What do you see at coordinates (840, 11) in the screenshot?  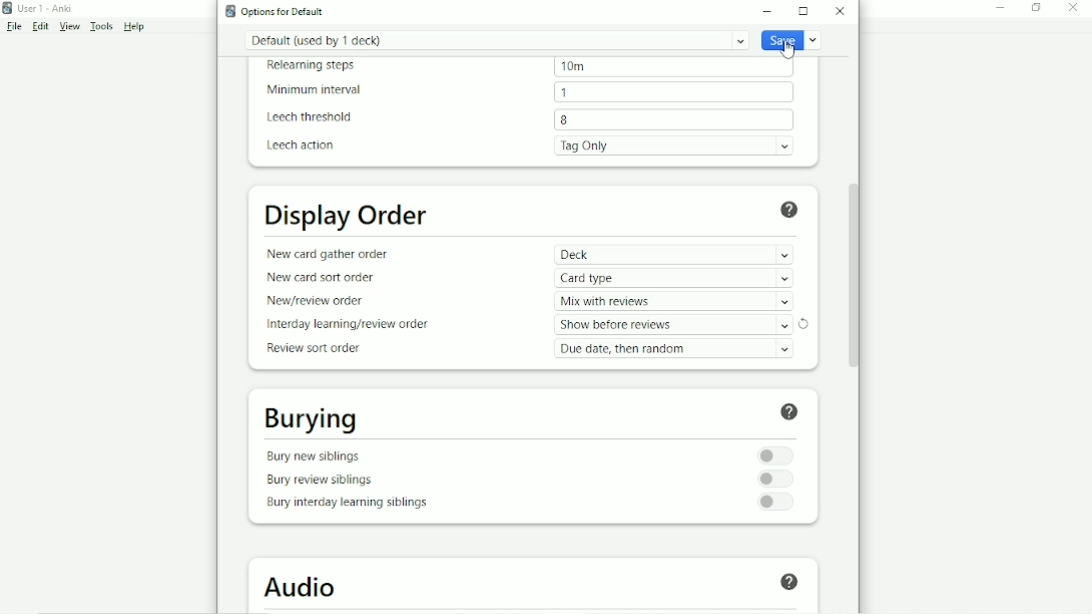 I see `Close` at bounding box center [840, 11].